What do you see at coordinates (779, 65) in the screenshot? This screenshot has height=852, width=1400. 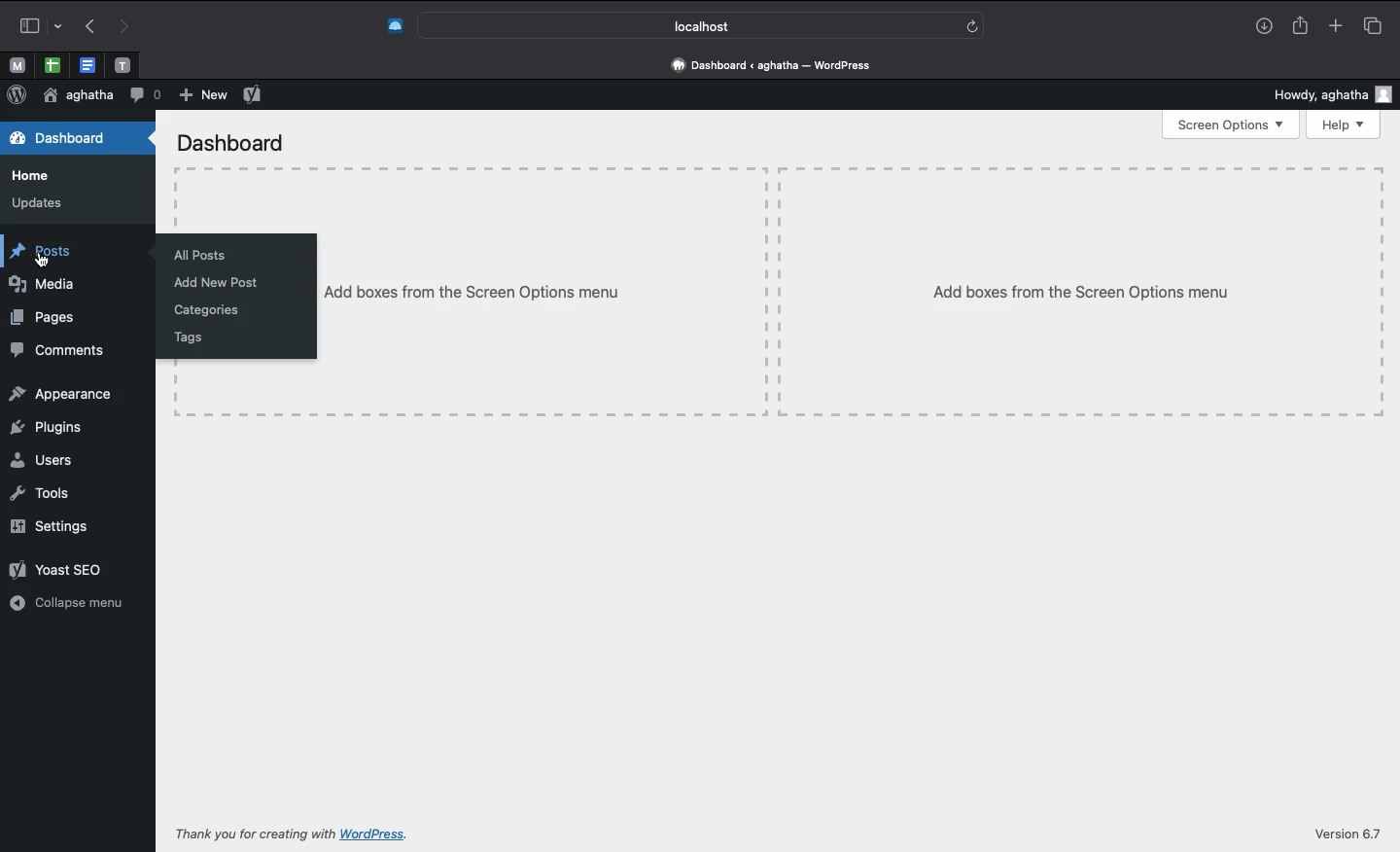 I see `Dashboard « aghatha — WordPress.` at bounding box center [779, 65].